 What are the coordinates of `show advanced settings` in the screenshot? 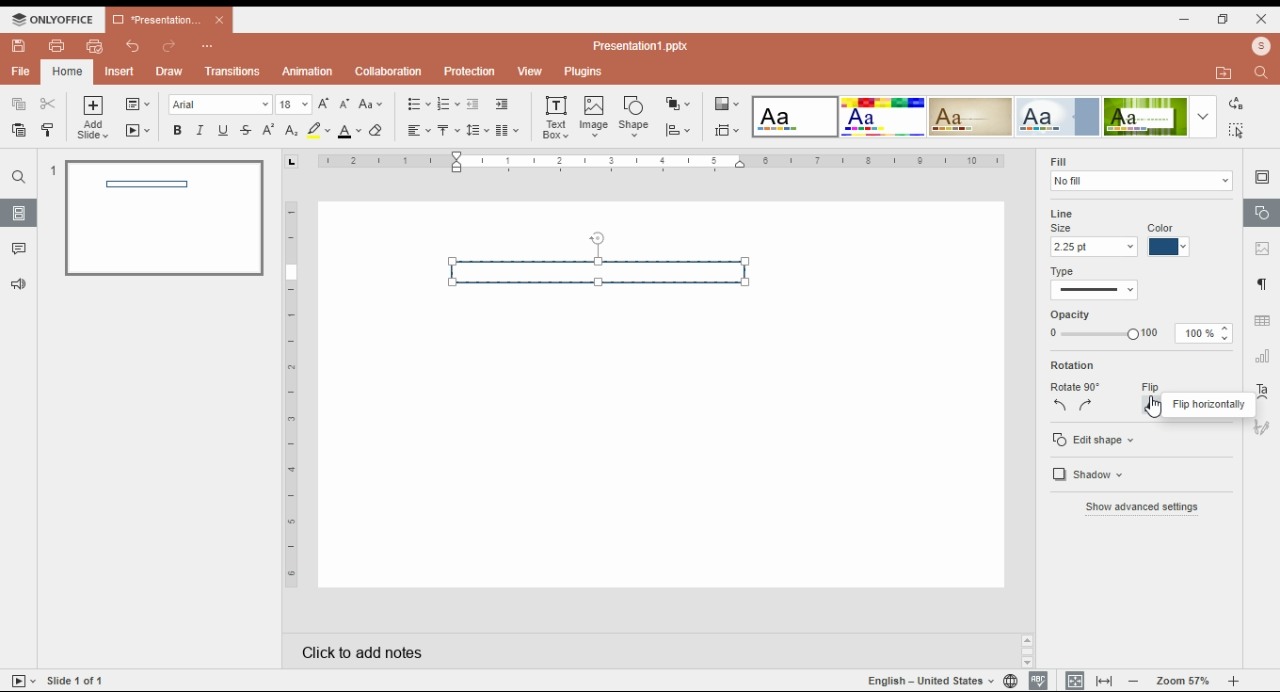 It's located at (1142, 507).